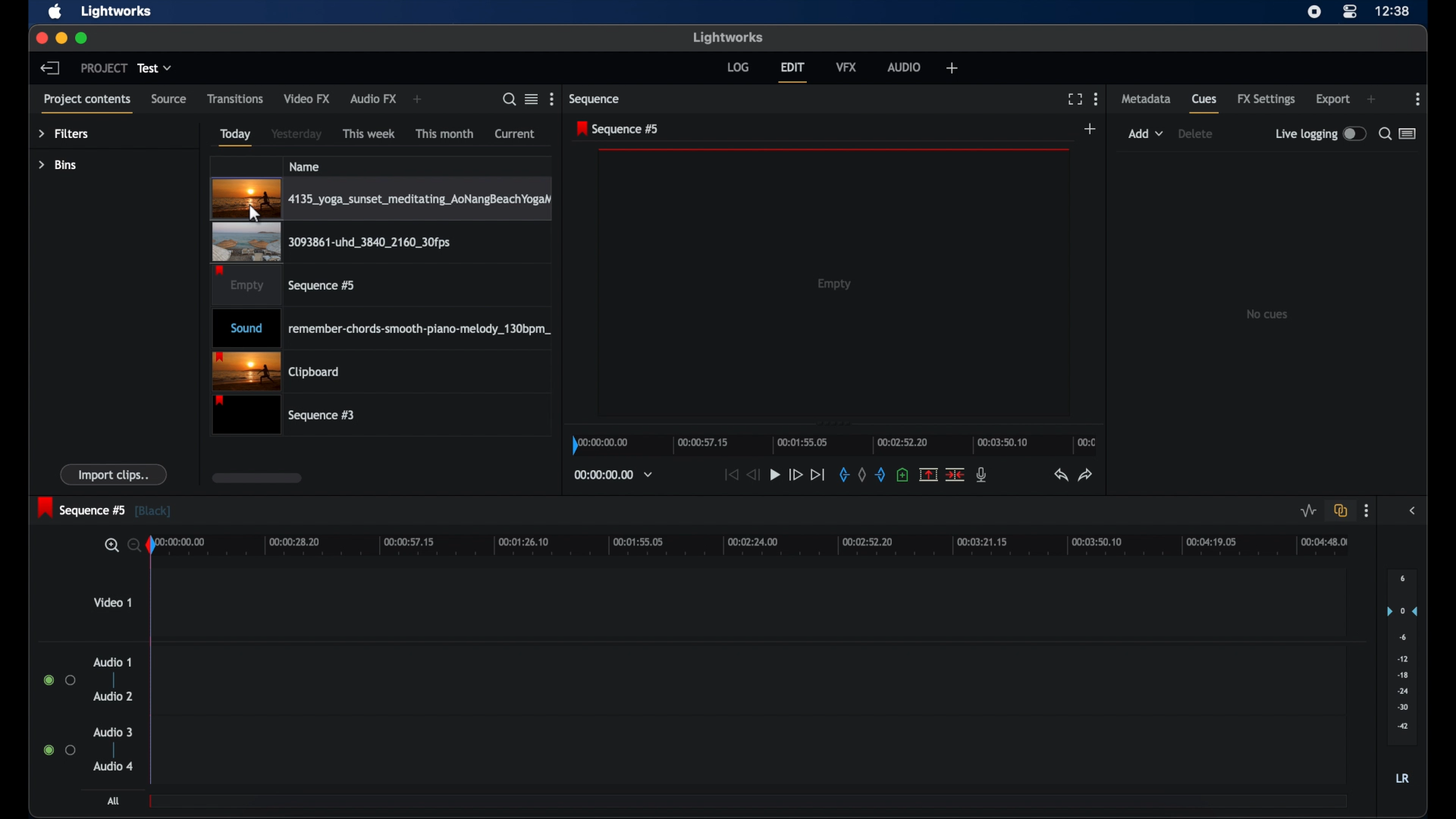  Describe the element at coordinates (58, 165) in the screenshot. I see `bins` at that location.